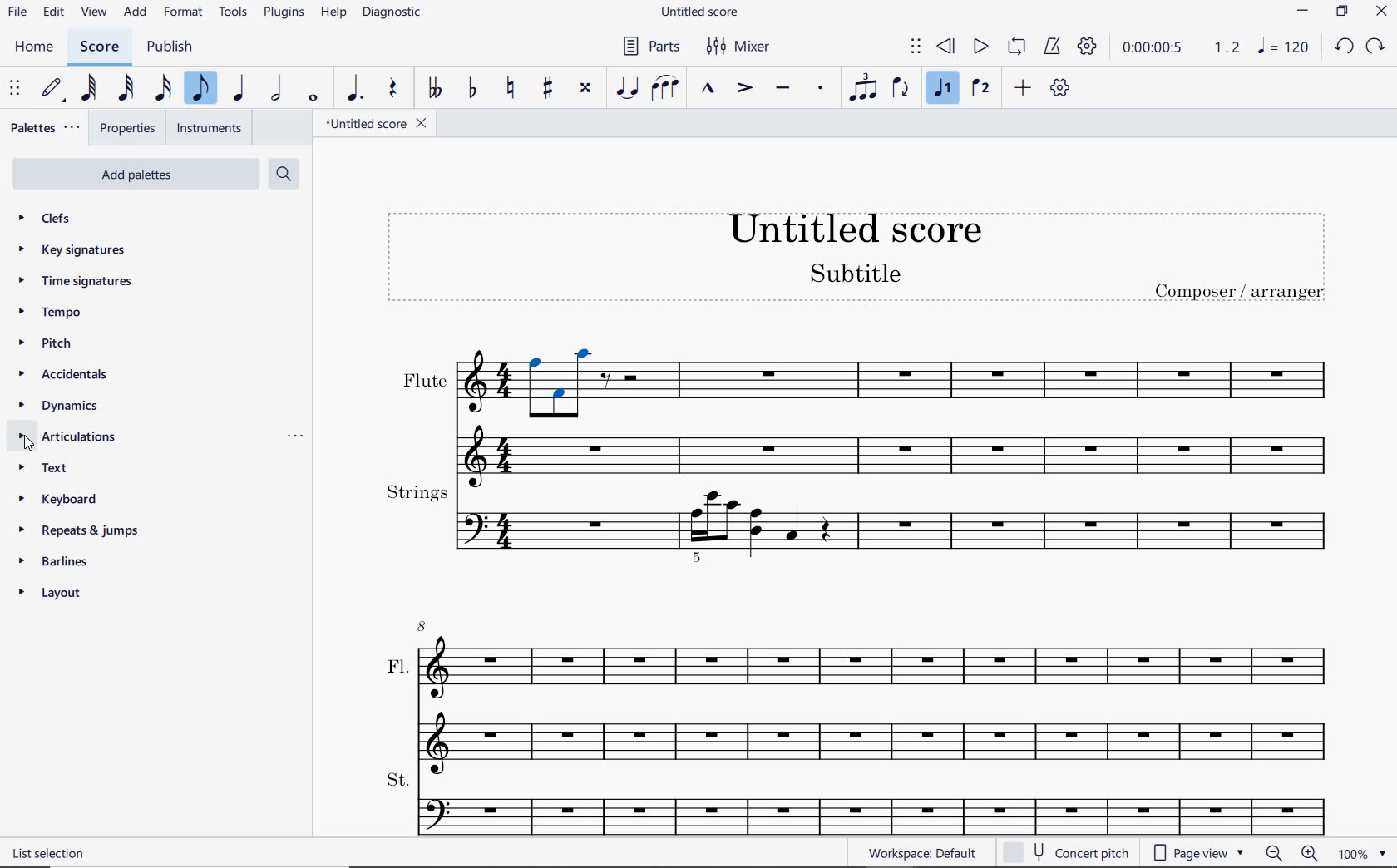 This screenshot has width=1397, height=868. I want to click on workspace default, so click(922, 853).